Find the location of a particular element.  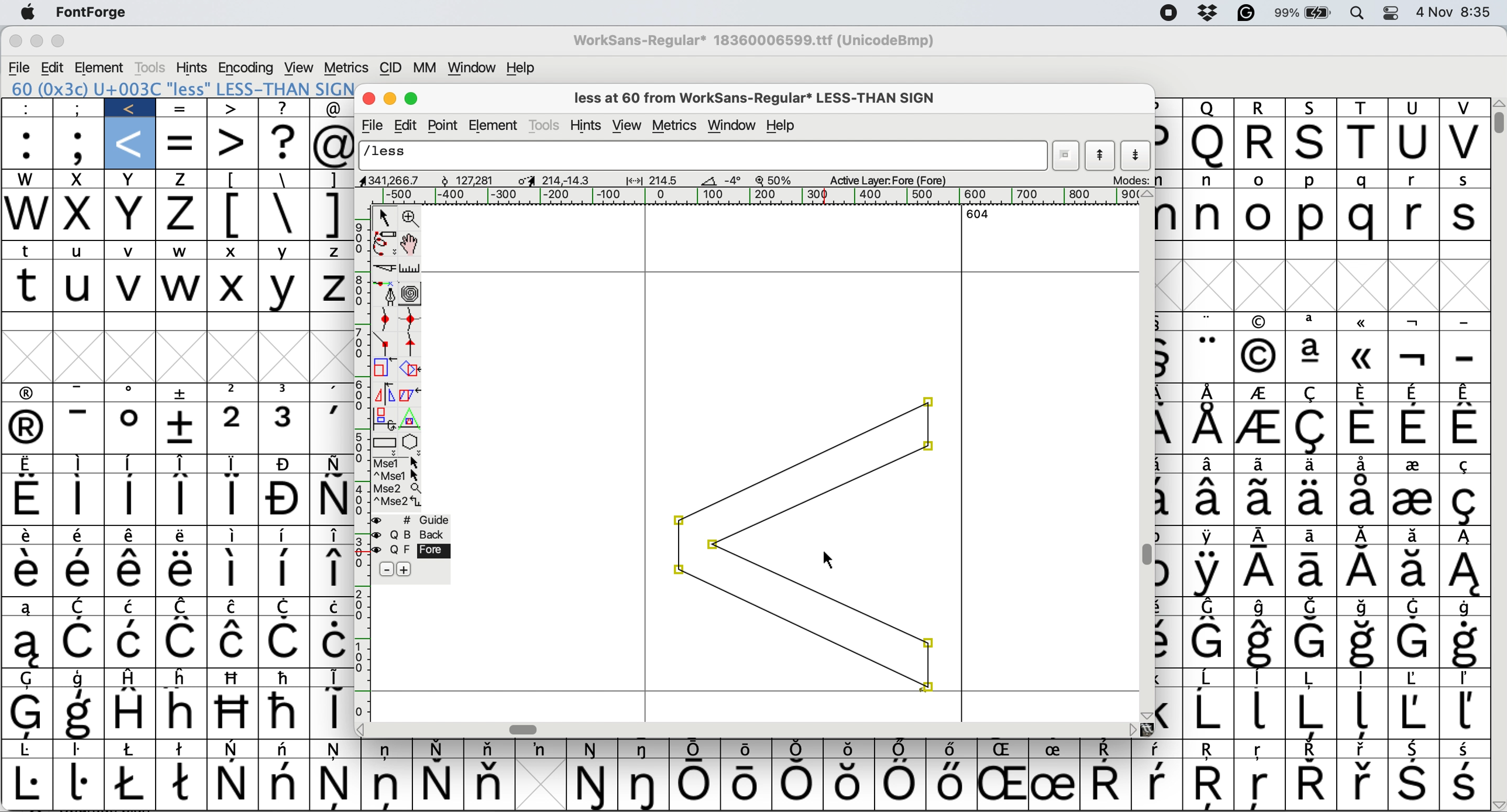

u is located at coordinates (1416, 108).